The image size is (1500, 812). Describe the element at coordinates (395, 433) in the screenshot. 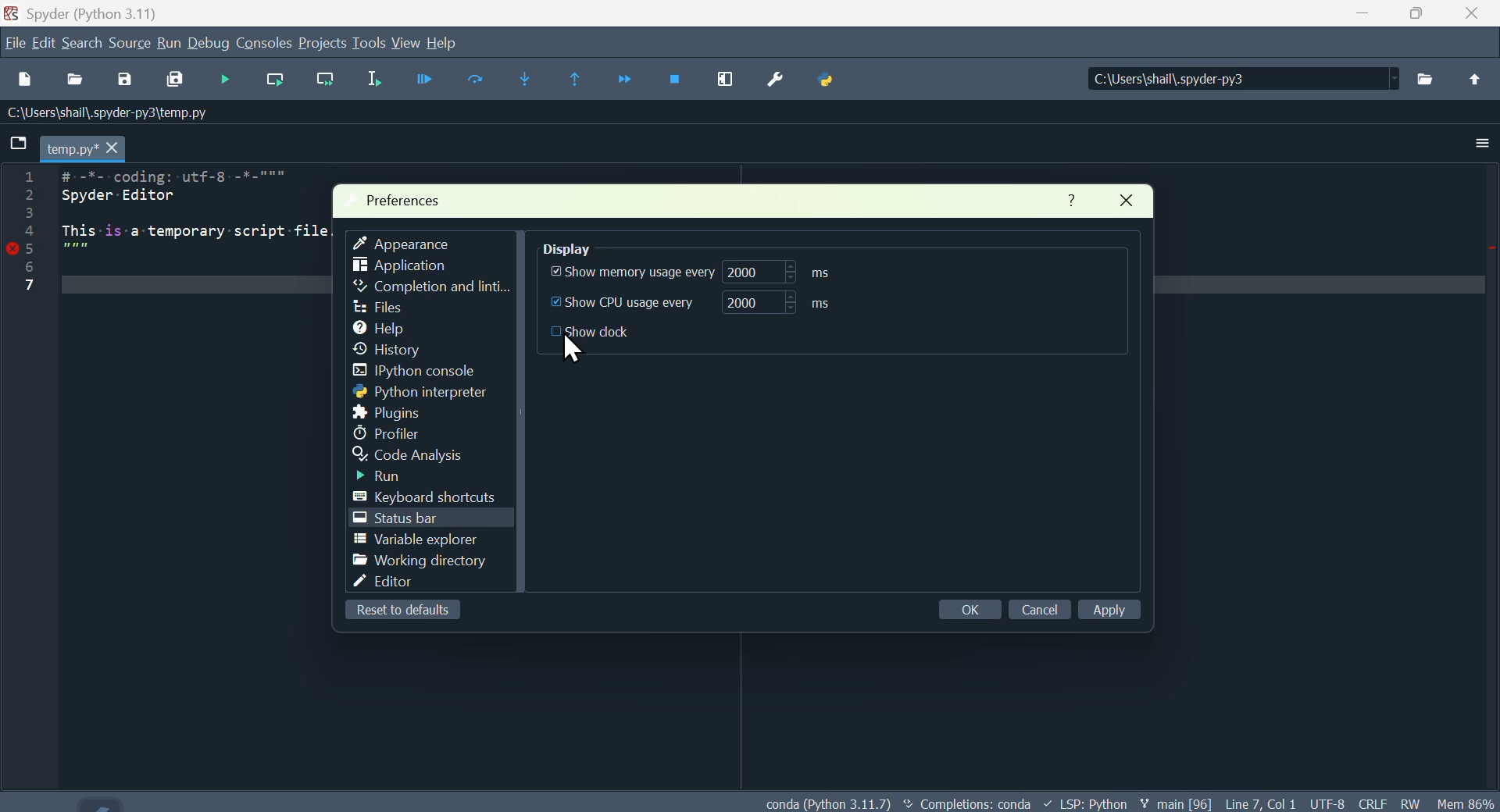

I see `Profiler` at that location.